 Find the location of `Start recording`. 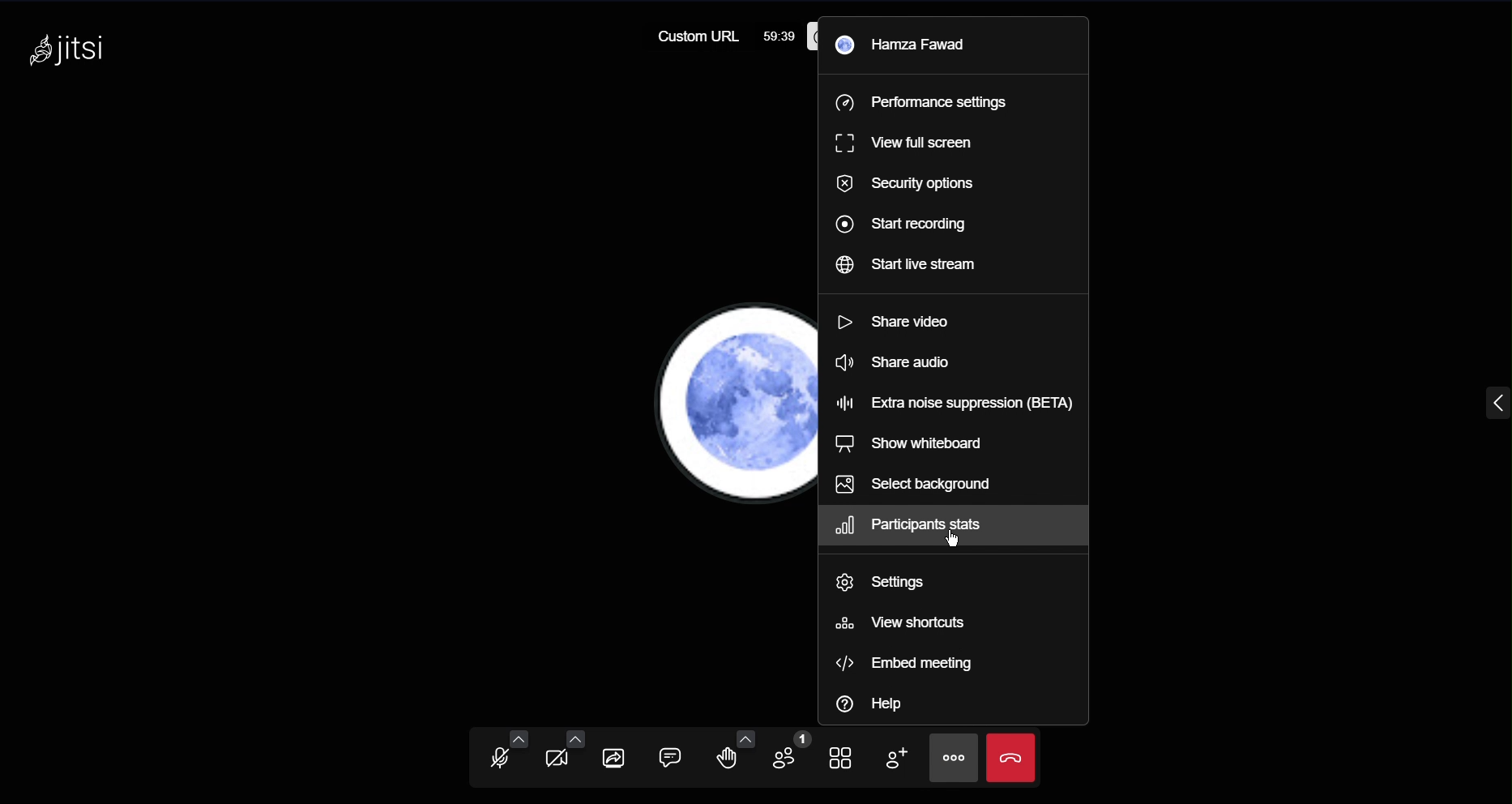

Start recording is located at coordinates (900, 225).